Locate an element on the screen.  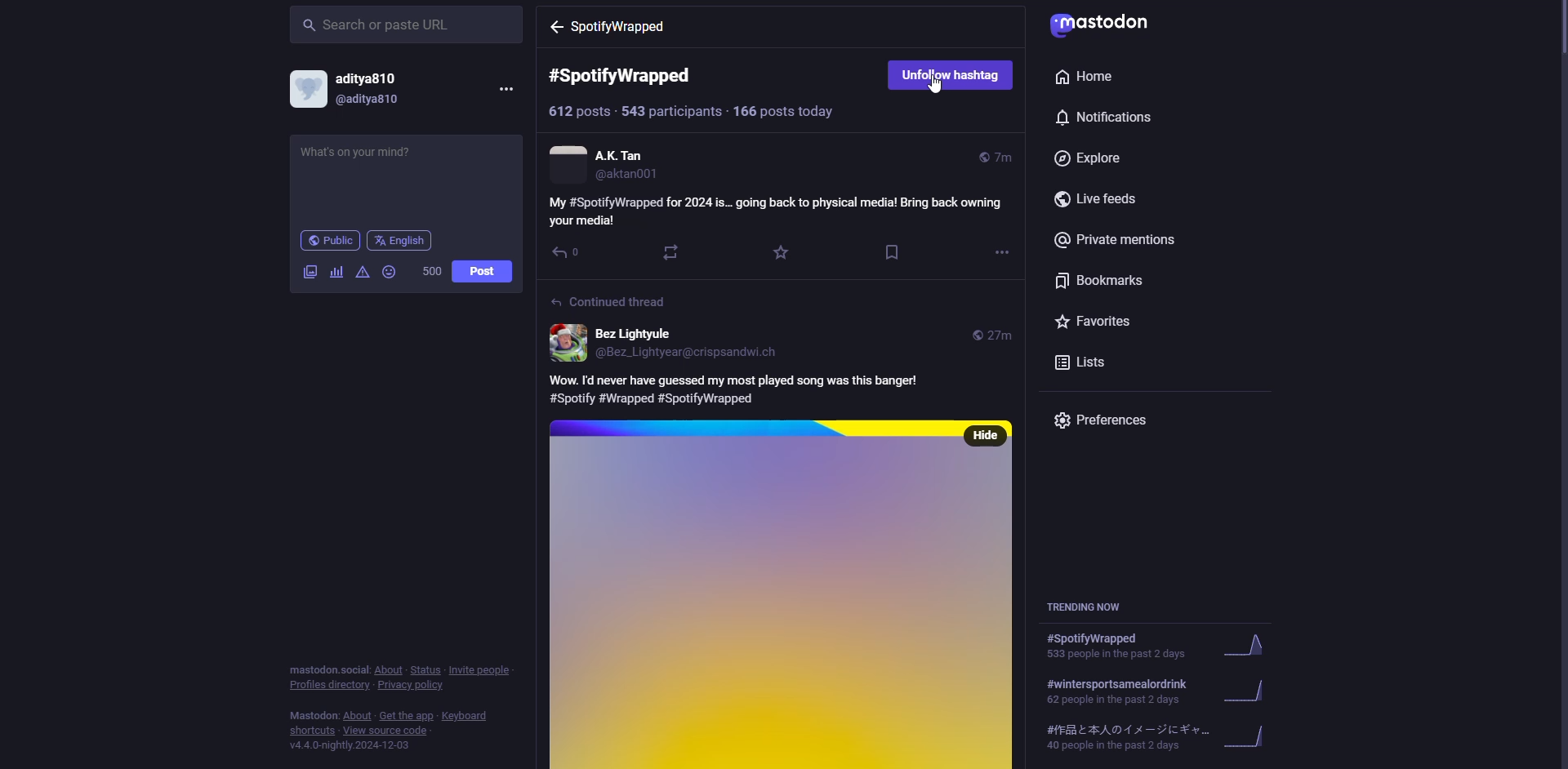
lists is located at coordinates (1086, 362).